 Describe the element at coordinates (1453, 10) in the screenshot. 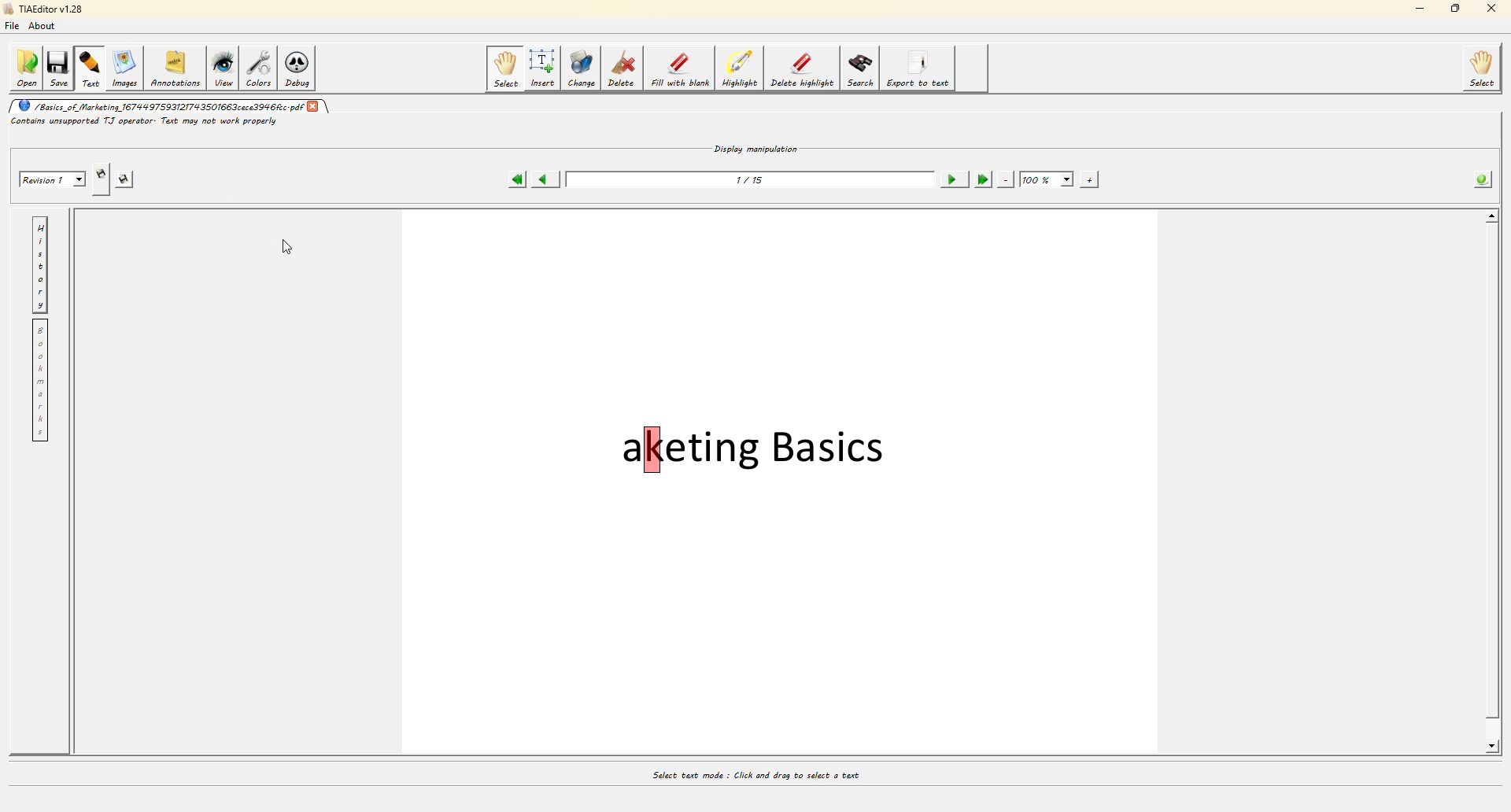

I see `maximize` at that location.